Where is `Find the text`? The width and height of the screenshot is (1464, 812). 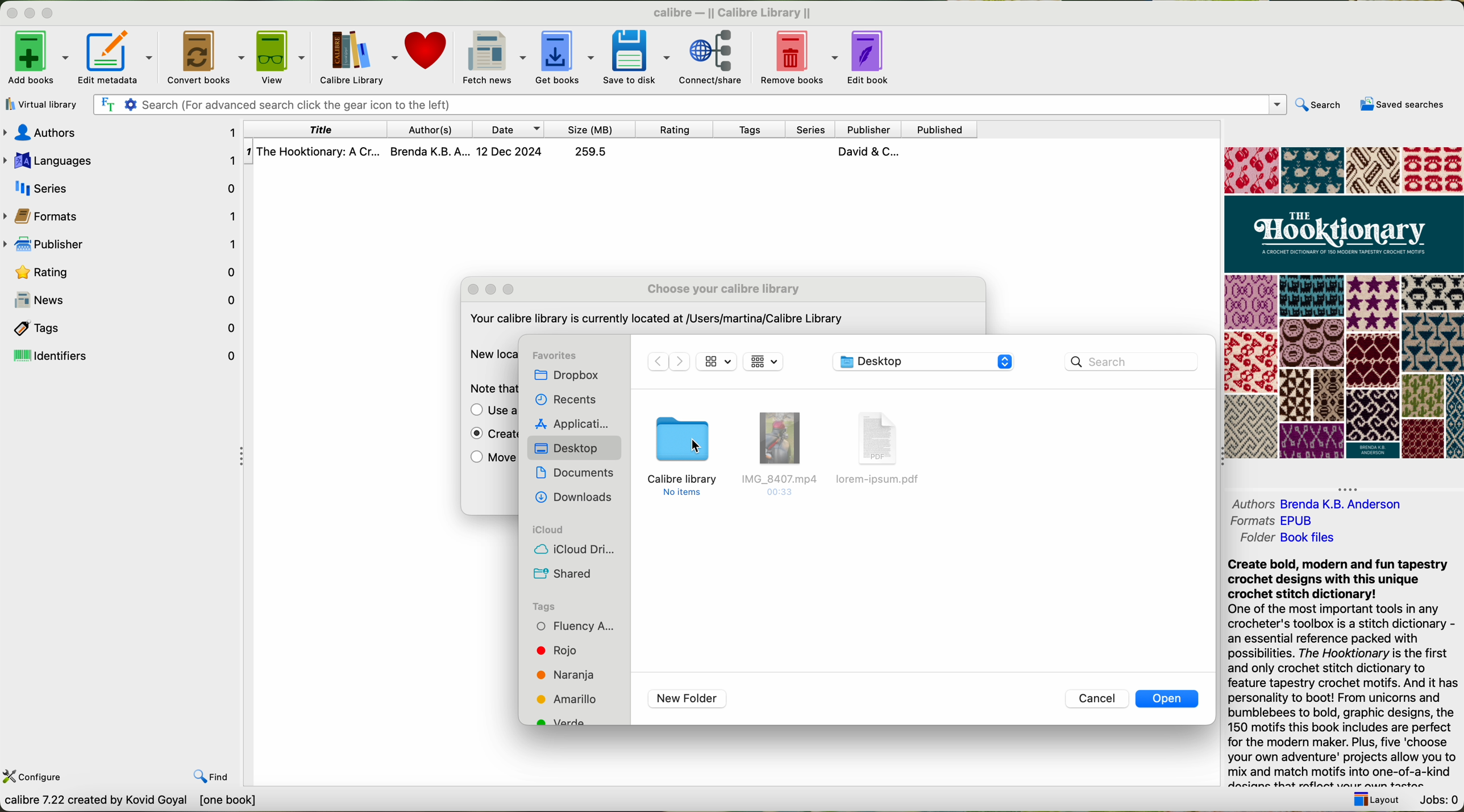
Find the text is located at coordinates (106, 103).